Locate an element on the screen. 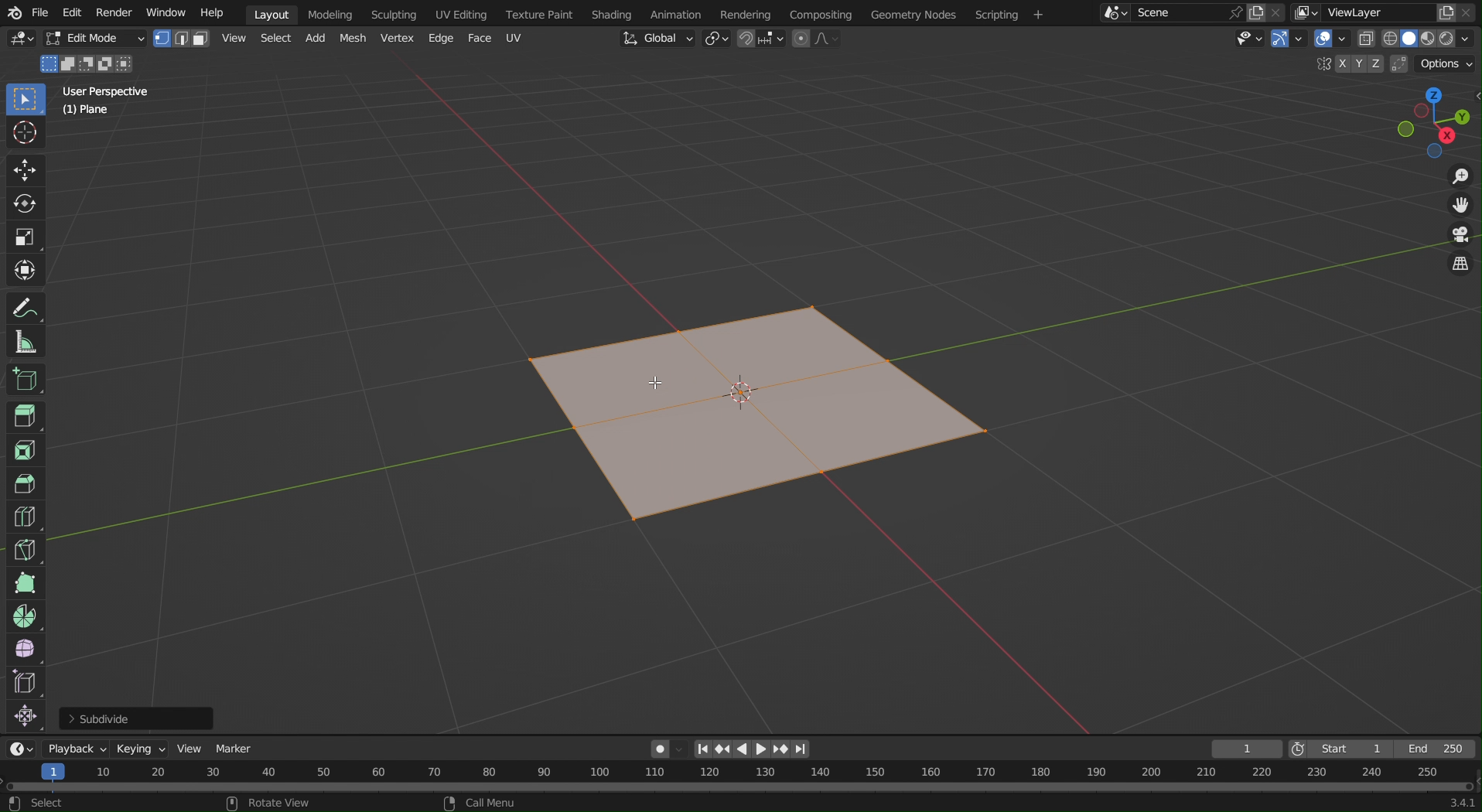  Mode is located at coordinates (87, 64).